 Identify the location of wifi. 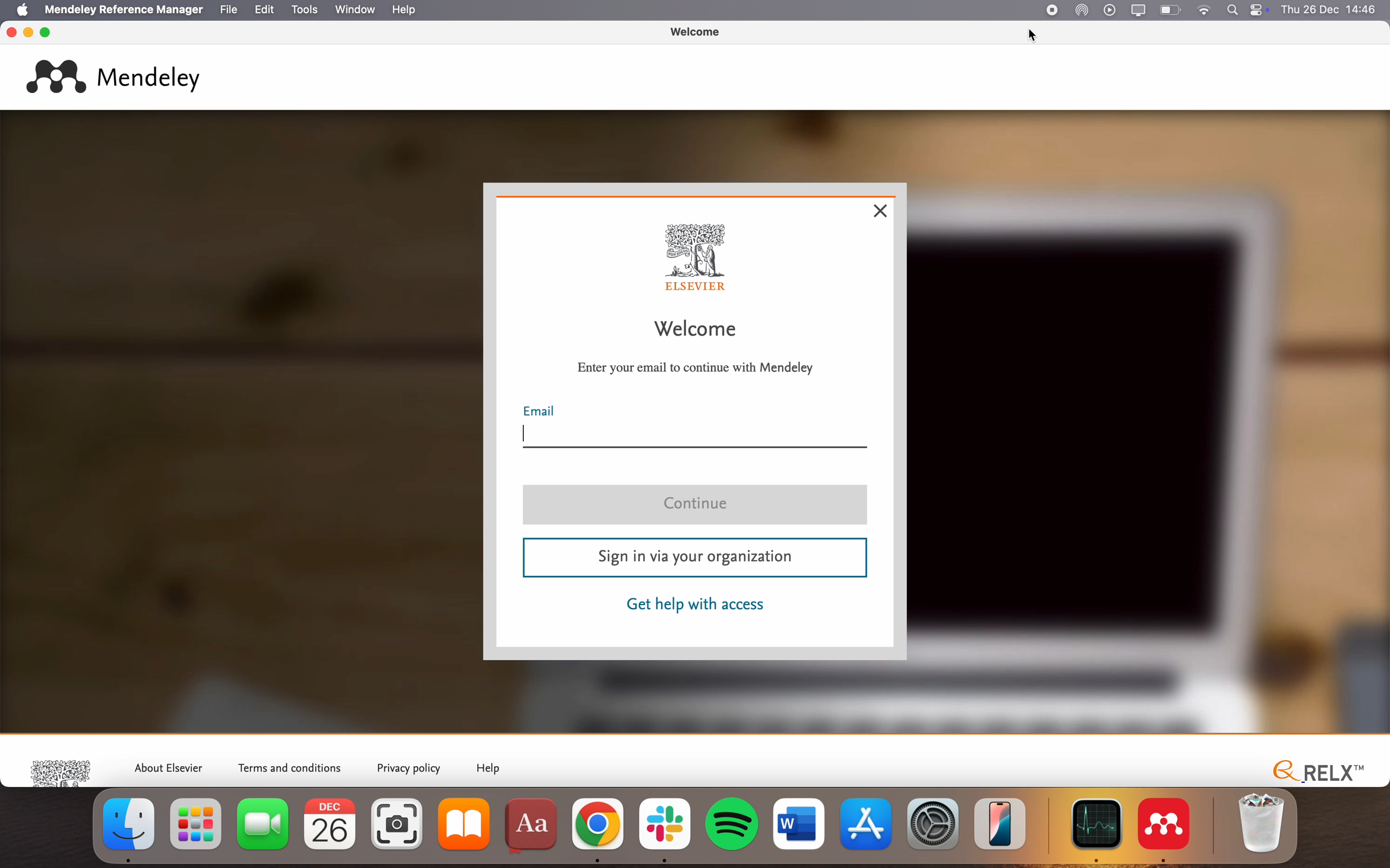
(1207, 10).